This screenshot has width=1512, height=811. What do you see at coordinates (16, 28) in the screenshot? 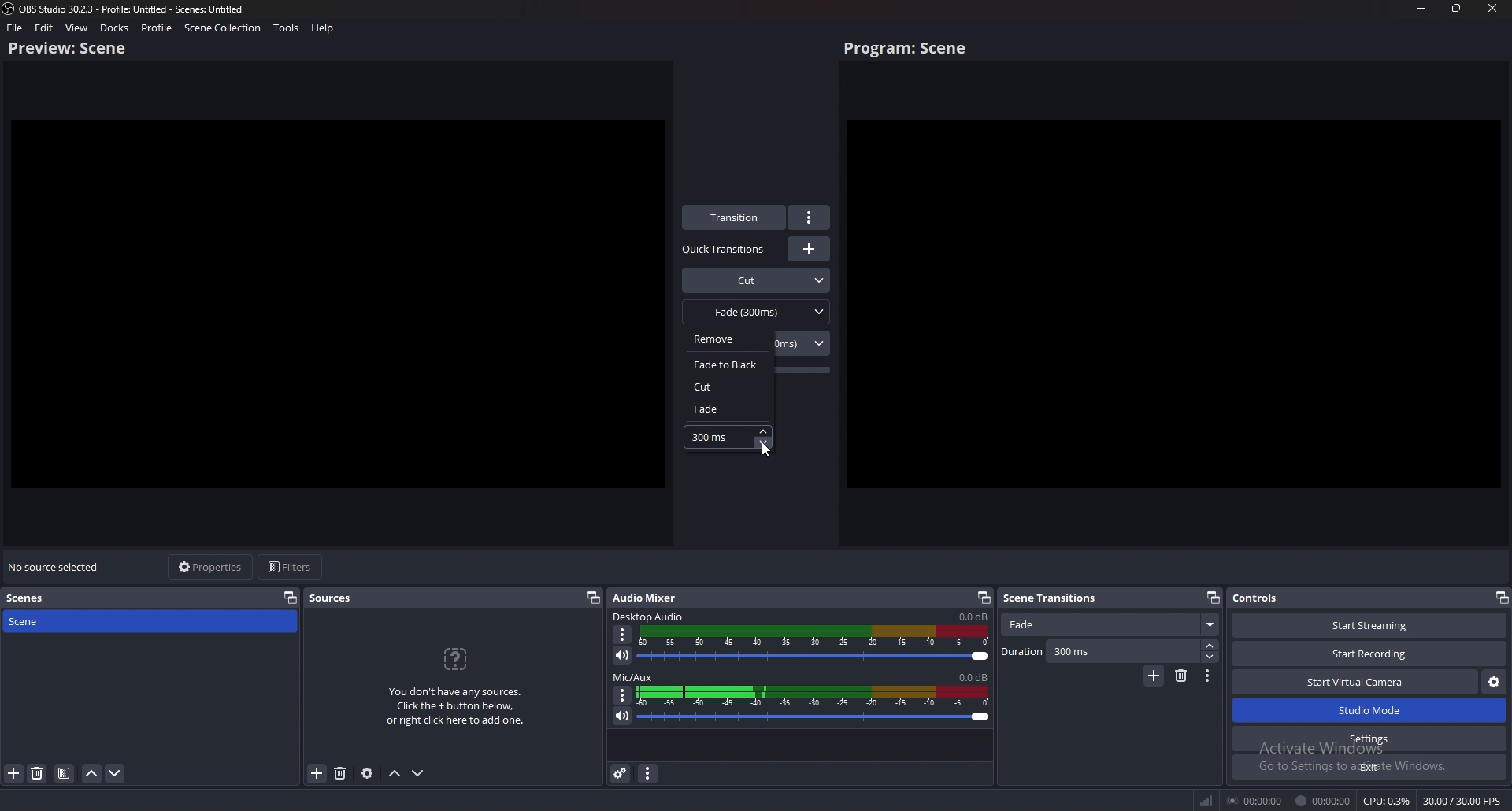
I see `file` at bounding box center [16, 28].